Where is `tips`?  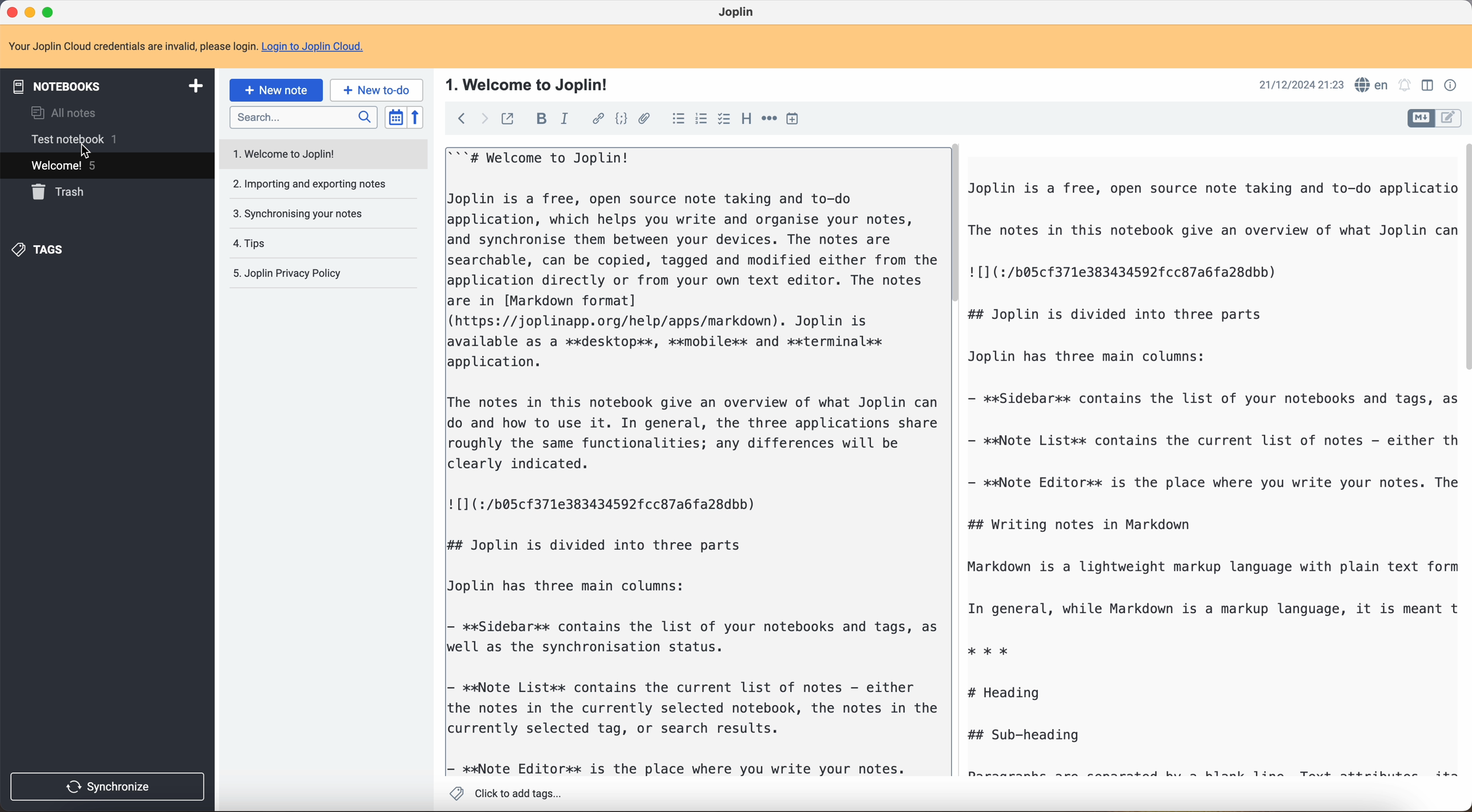
tips is located at coordinates (249, 242).